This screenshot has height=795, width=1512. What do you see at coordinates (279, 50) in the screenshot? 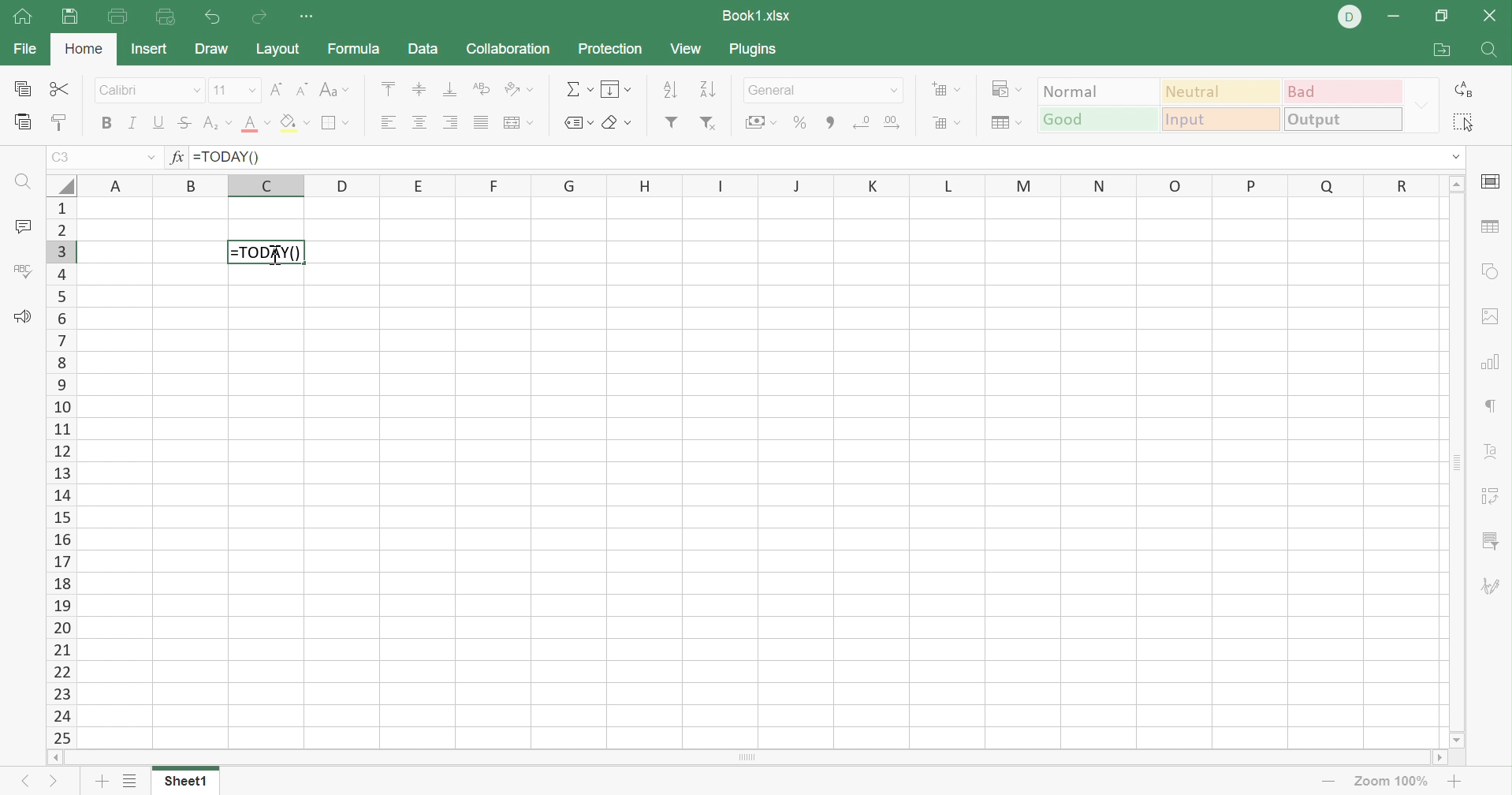
I see `Layout` at bounding box center [279, 50].